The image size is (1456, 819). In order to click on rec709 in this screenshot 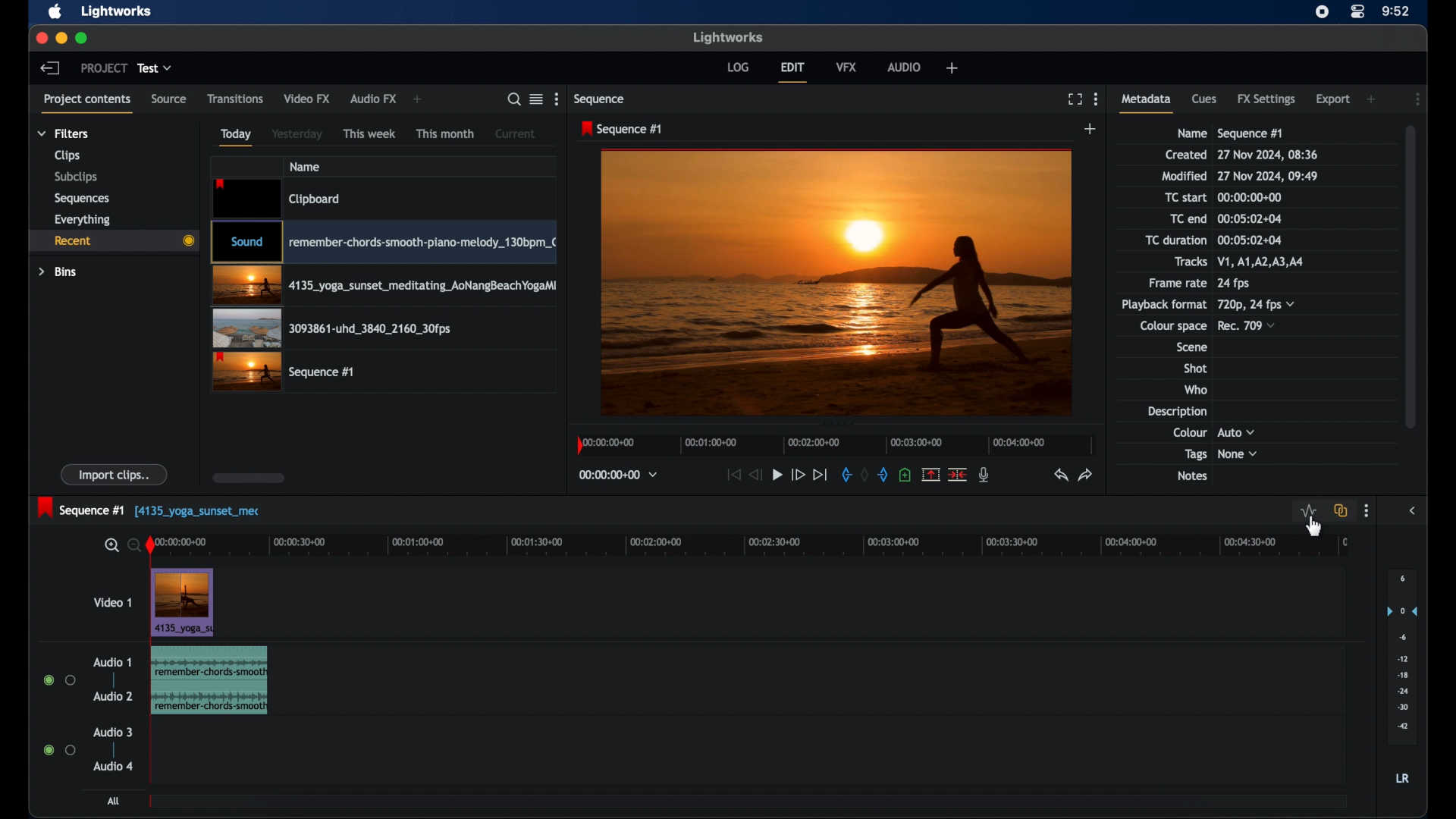, I will do `click(1247, 325)`.